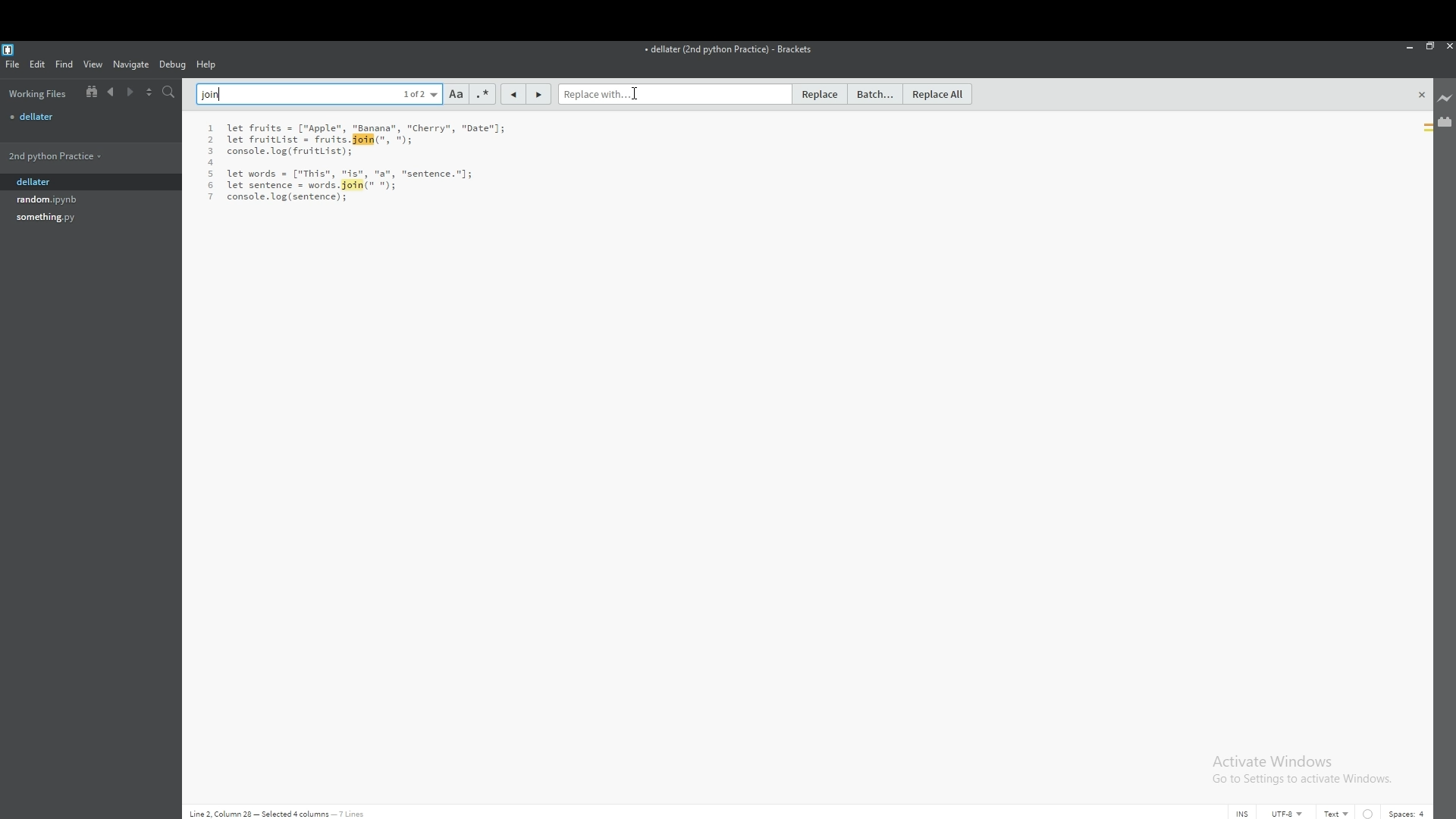 The height and width of the screenshot is (819, 1456). I want to click on replace, so click(819, 94).